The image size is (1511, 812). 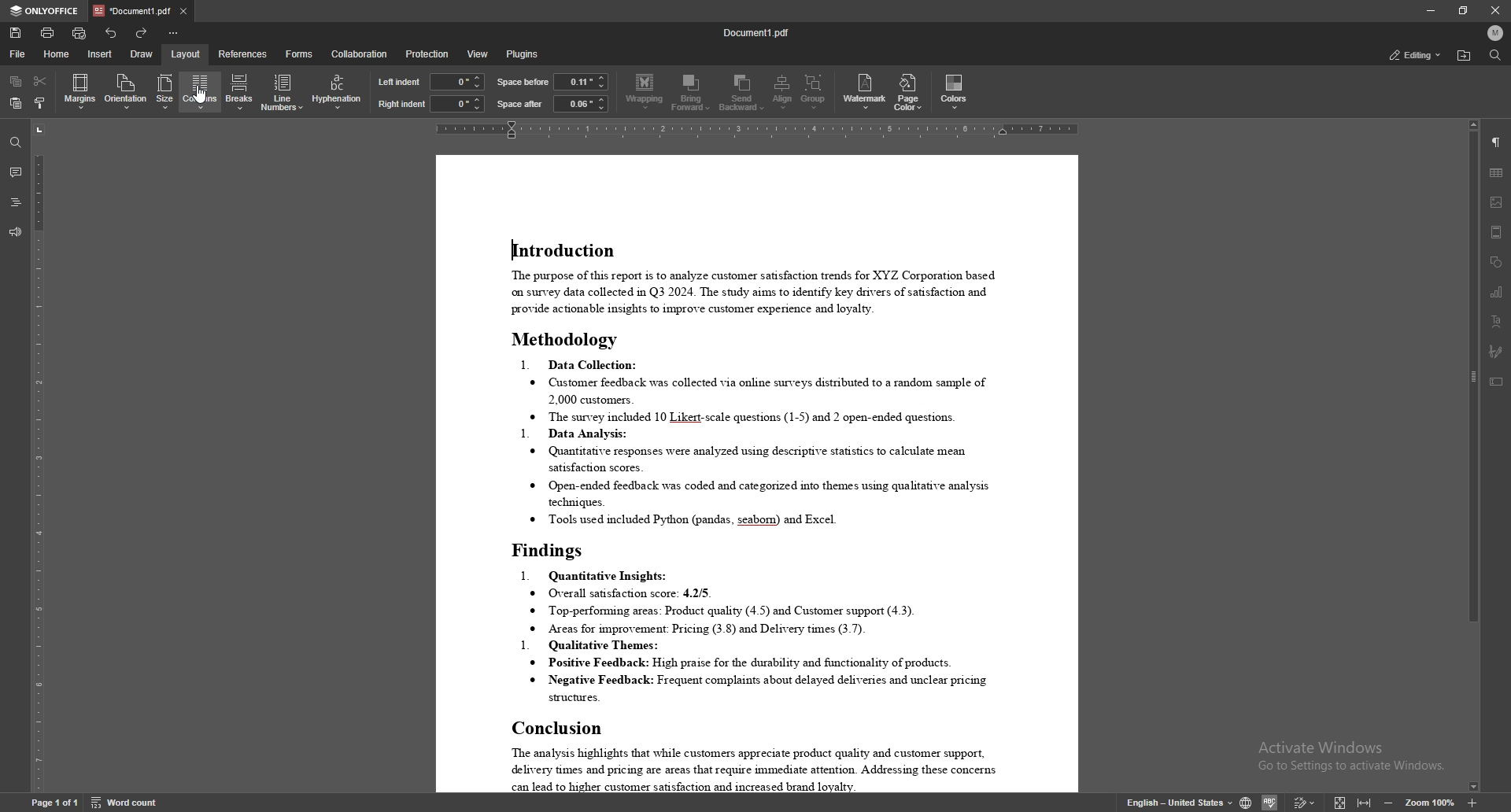 What do you see at coordinates (16, 142) in the screenshot?
I see `find` at bounding box center [16, 142].